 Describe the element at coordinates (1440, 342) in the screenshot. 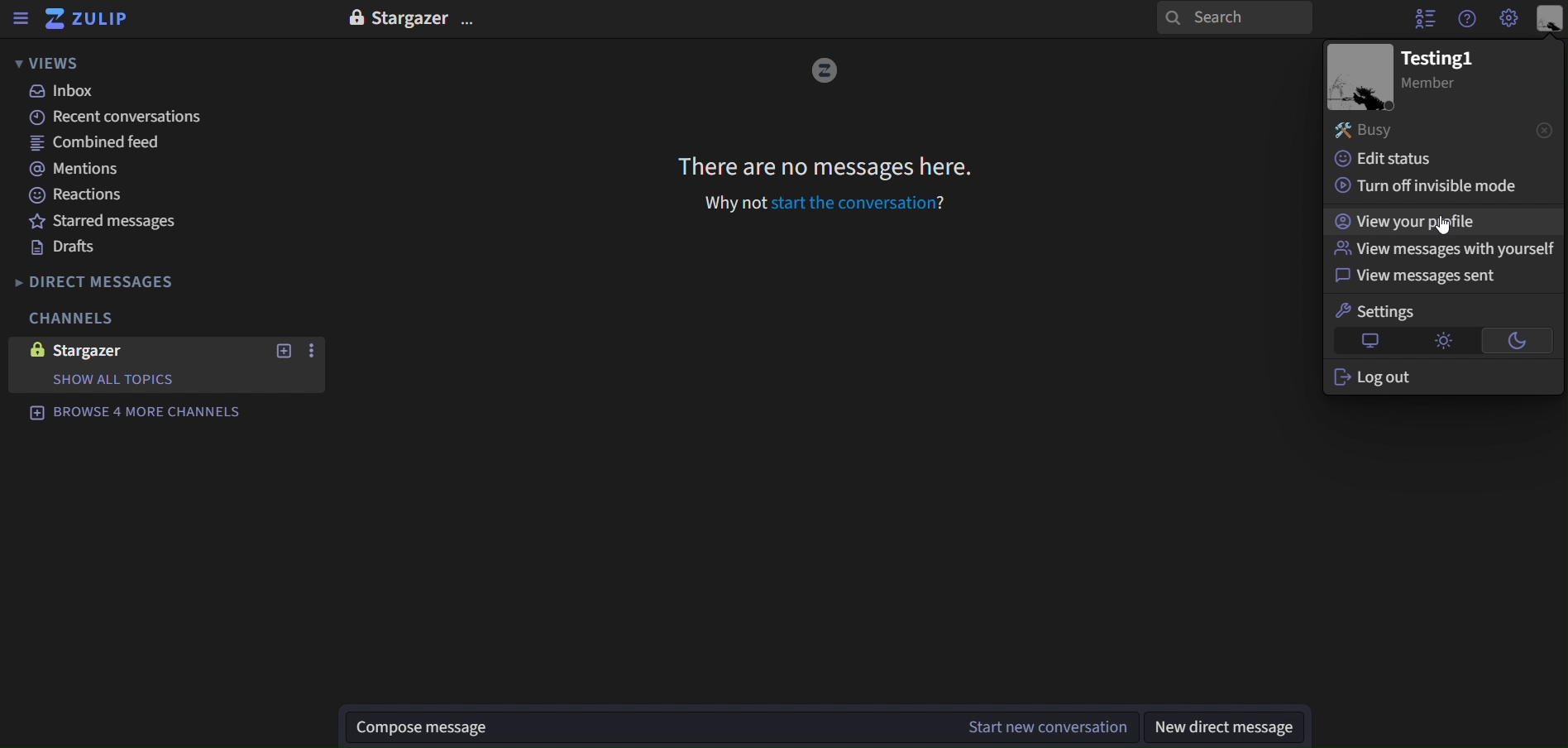

I see `light` at that location.